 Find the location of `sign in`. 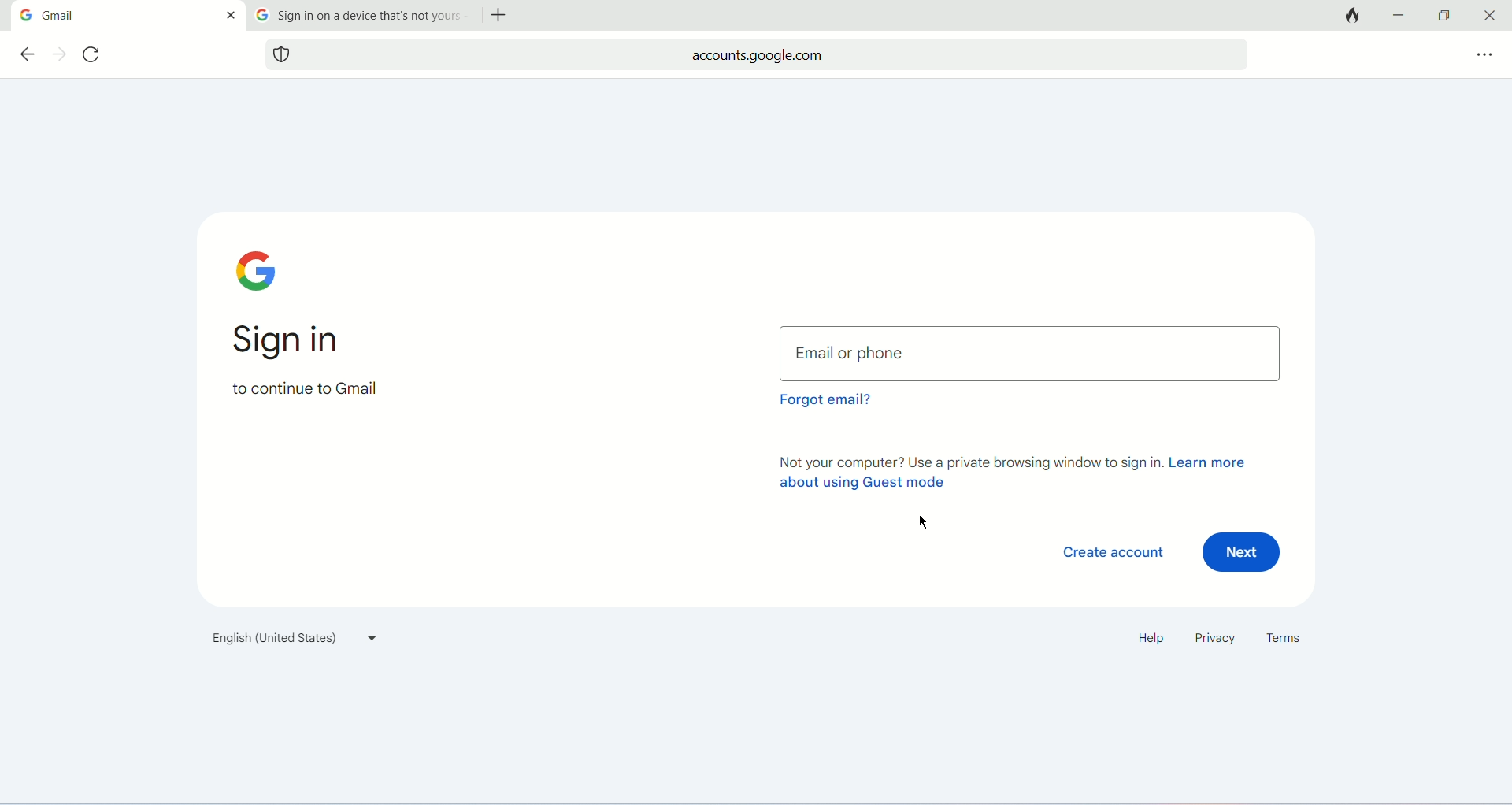

sign in is located at coordinates (297, 343).